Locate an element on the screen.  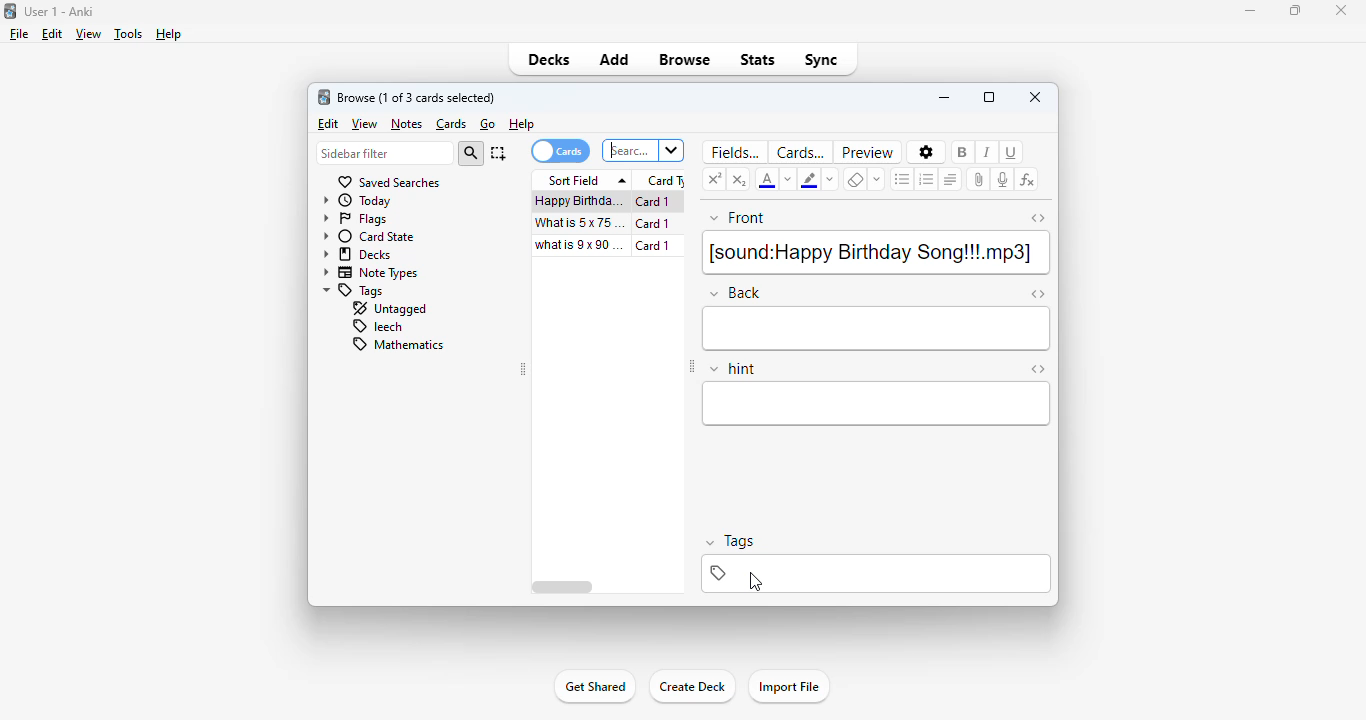
tags is located at coordinates (875, 571).